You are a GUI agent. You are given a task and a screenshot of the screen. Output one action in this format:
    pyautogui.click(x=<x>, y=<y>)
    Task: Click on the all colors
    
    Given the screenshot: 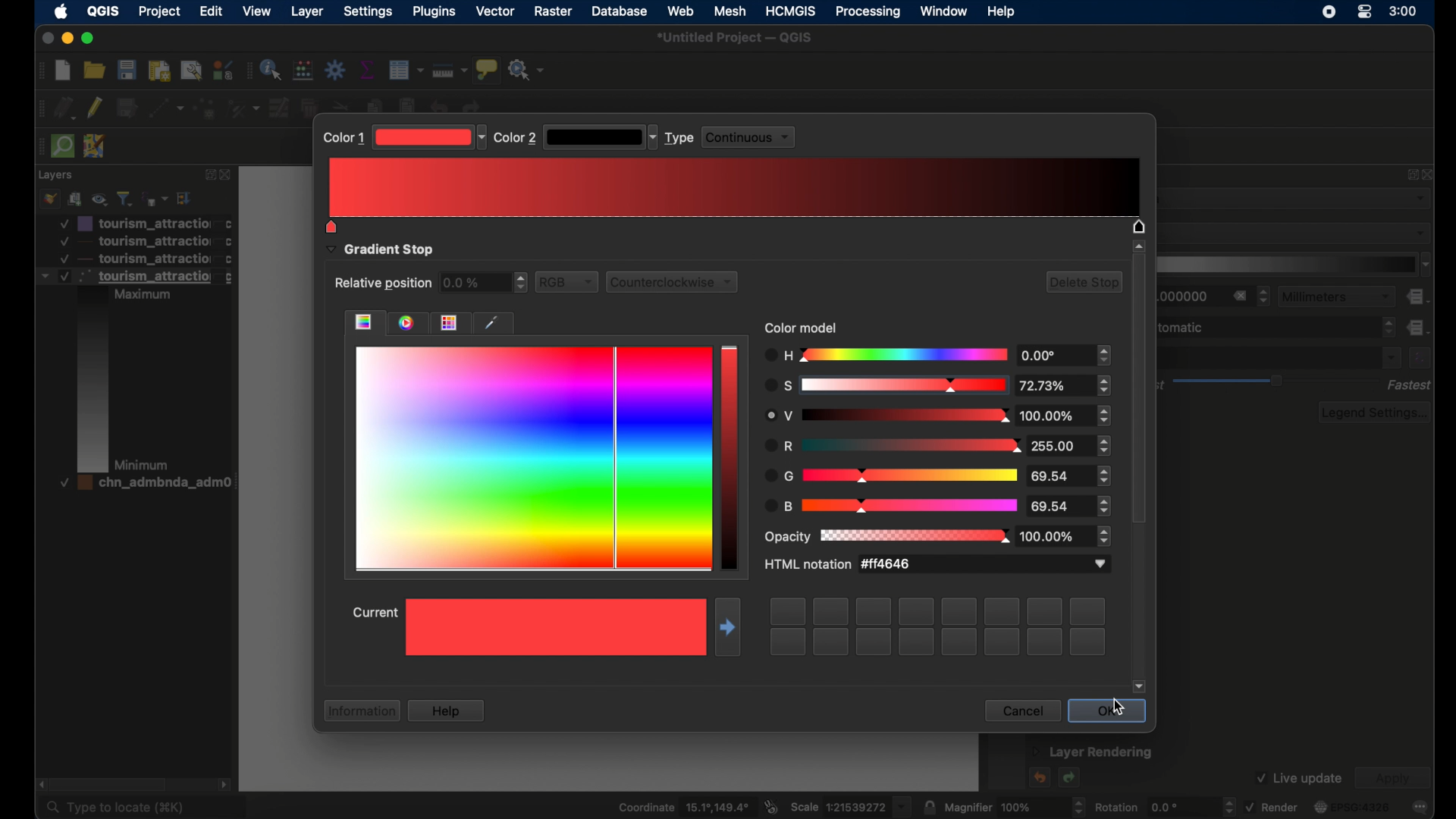 What is the action you would take?
    pyautogui.click(x=532, y=458)
    